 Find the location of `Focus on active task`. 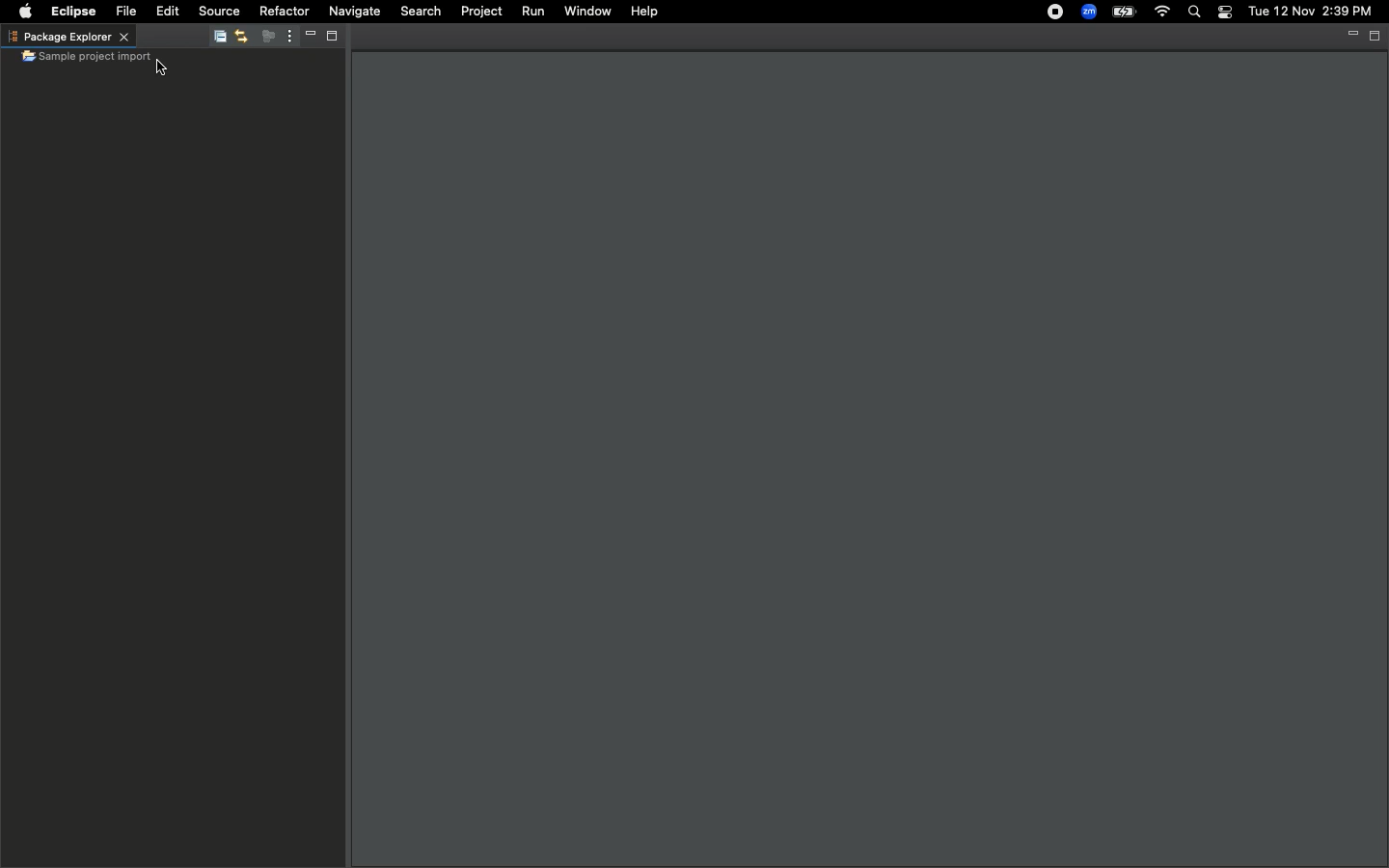

Focus on active task is located at coordinates (262, 38).